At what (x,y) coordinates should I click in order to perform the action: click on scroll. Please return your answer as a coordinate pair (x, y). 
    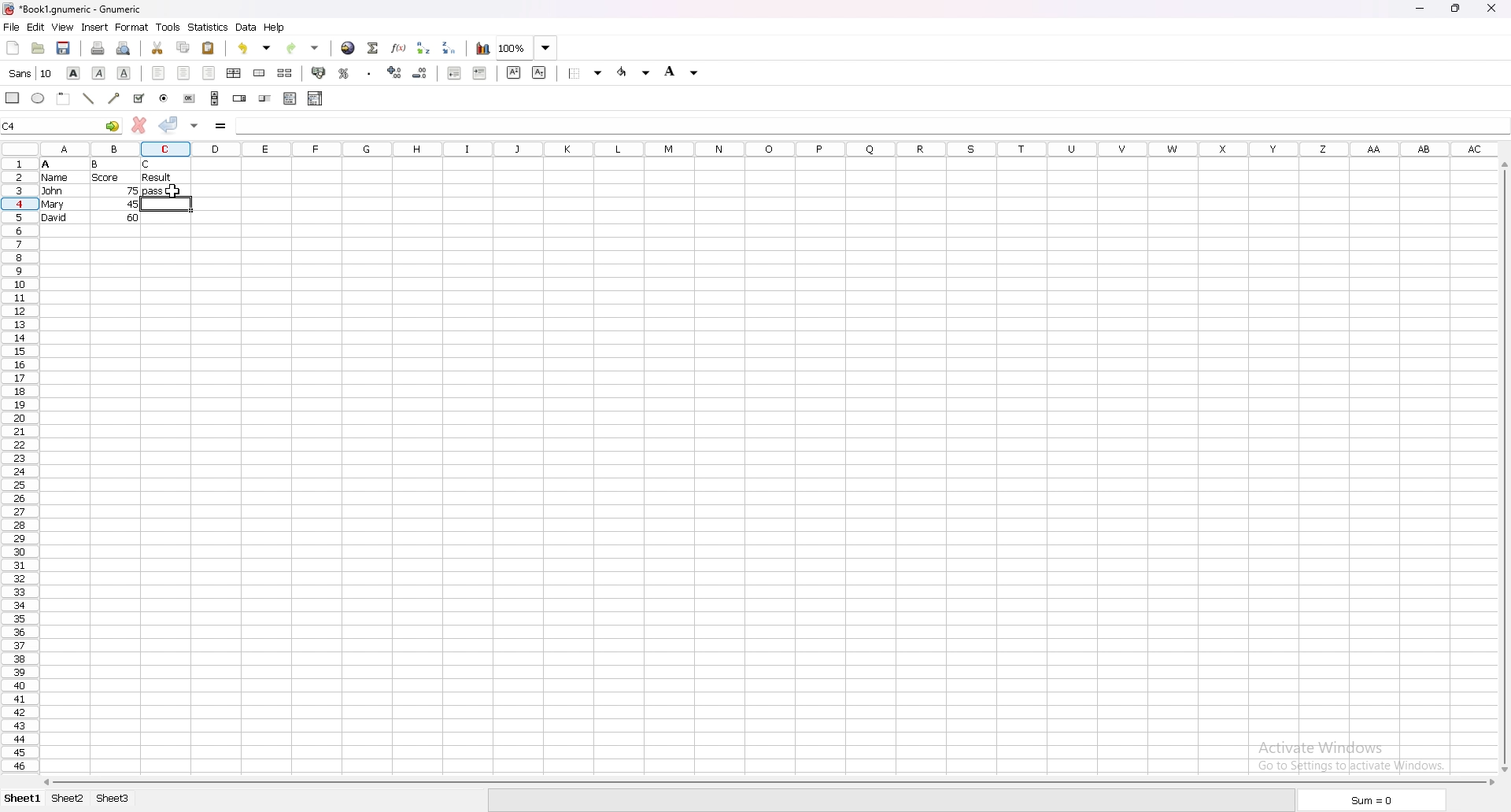
    Looking at the image, I should click on (215, 98).